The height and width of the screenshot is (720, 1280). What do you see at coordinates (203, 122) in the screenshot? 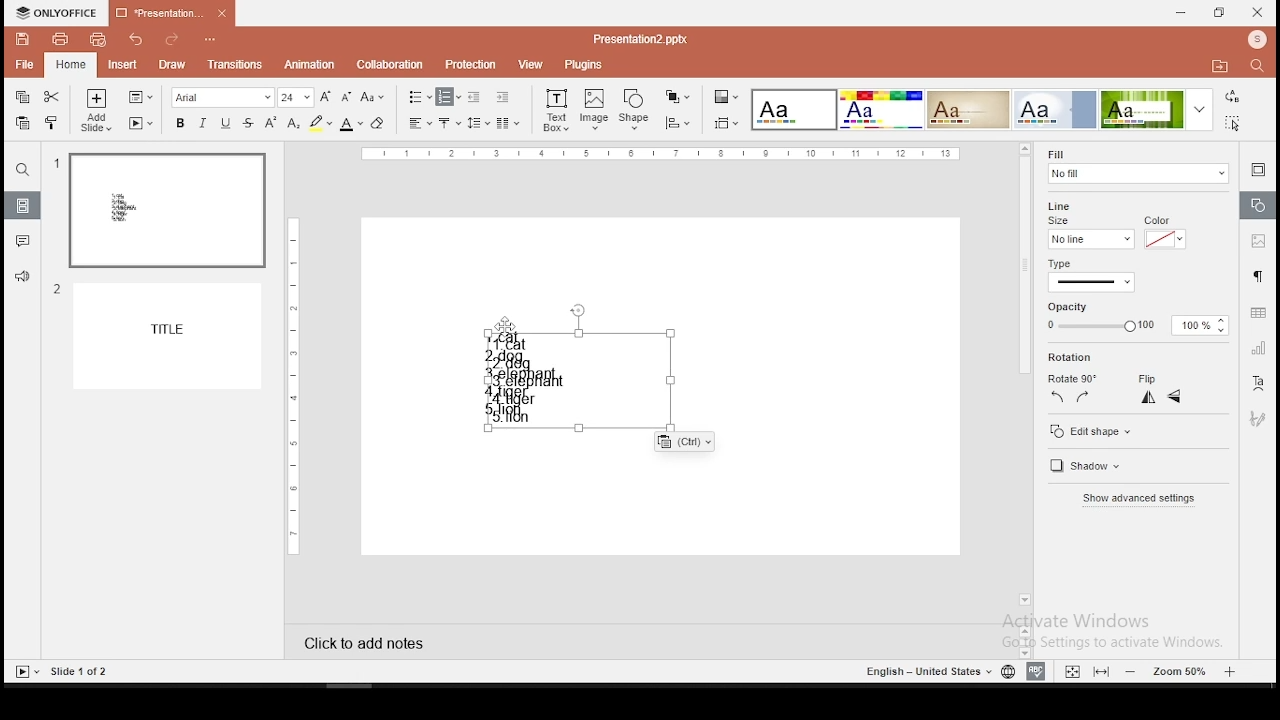
I see `italics` at bounding box center [203, 122].